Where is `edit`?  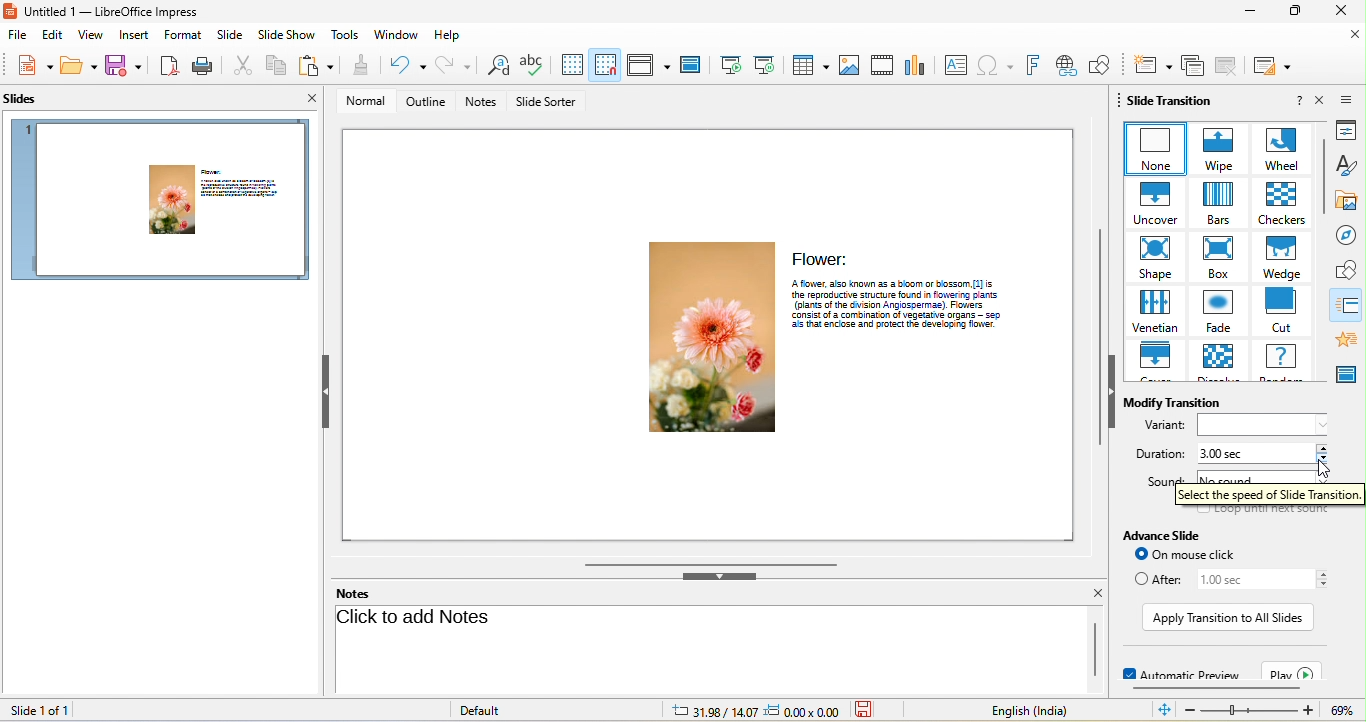 edit is located at coordinates (52, 35).